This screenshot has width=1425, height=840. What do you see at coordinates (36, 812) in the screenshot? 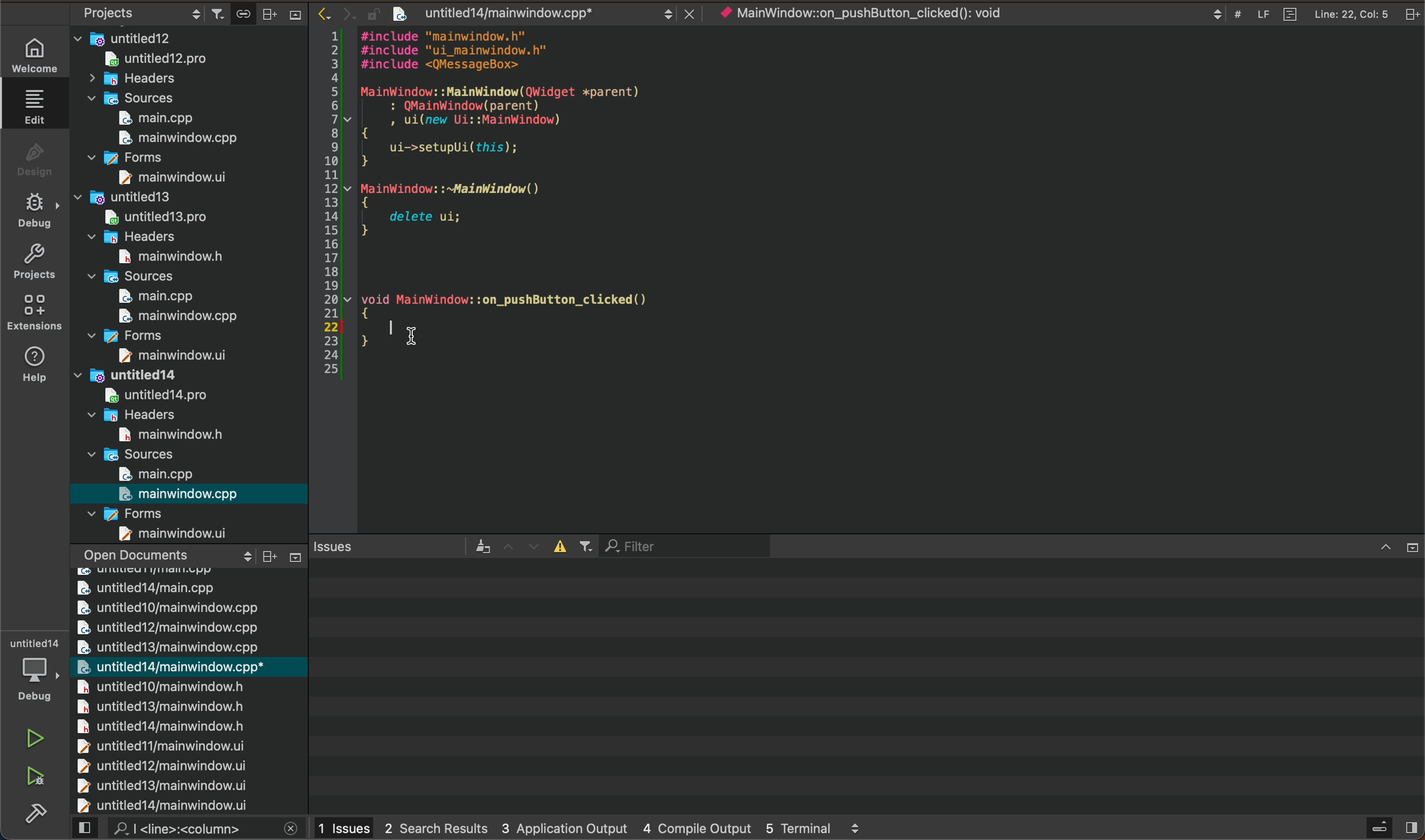
I see `` at bounding box center [36, 812].